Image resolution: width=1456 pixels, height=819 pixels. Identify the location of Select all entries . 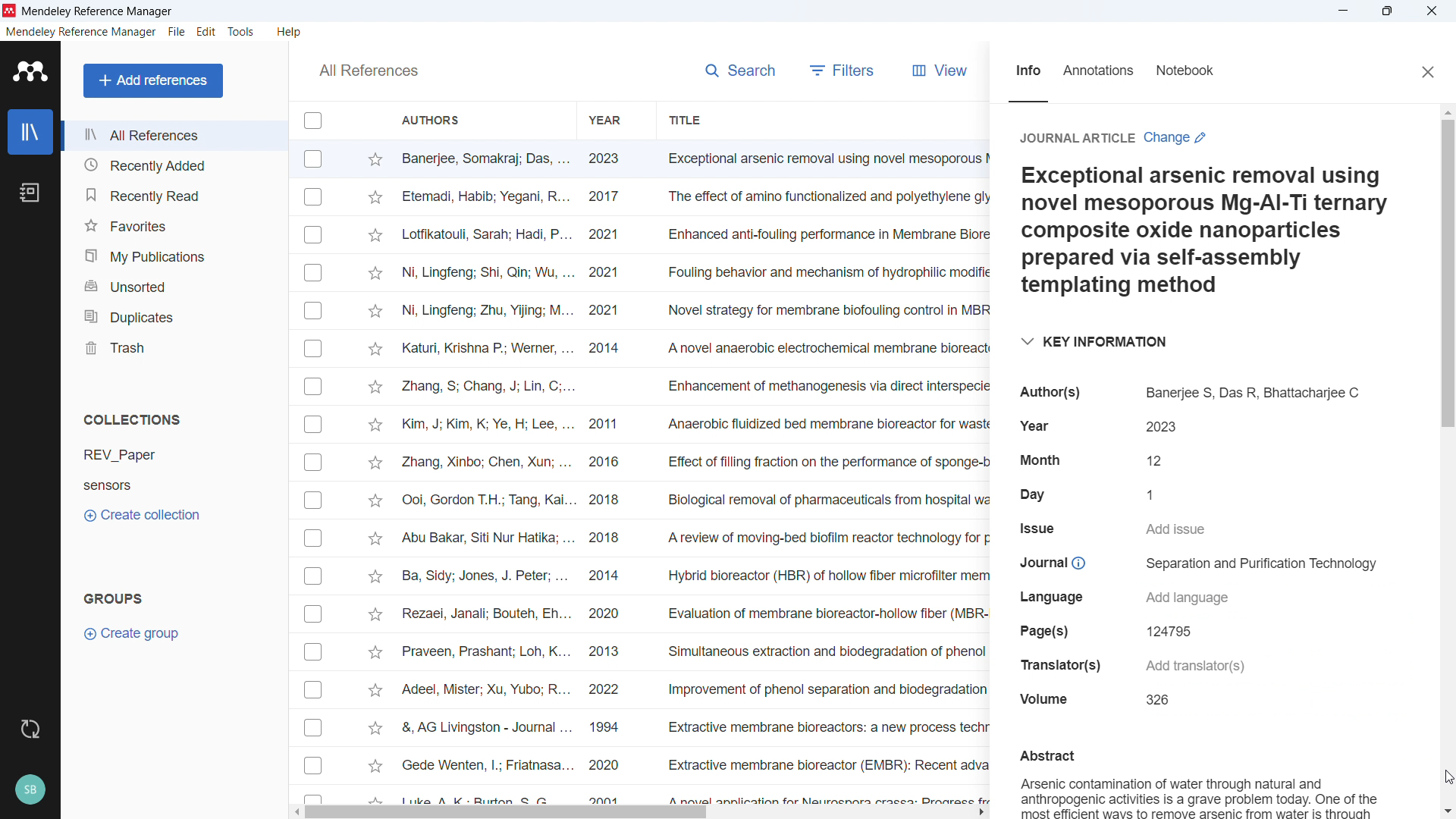
(313, 121).